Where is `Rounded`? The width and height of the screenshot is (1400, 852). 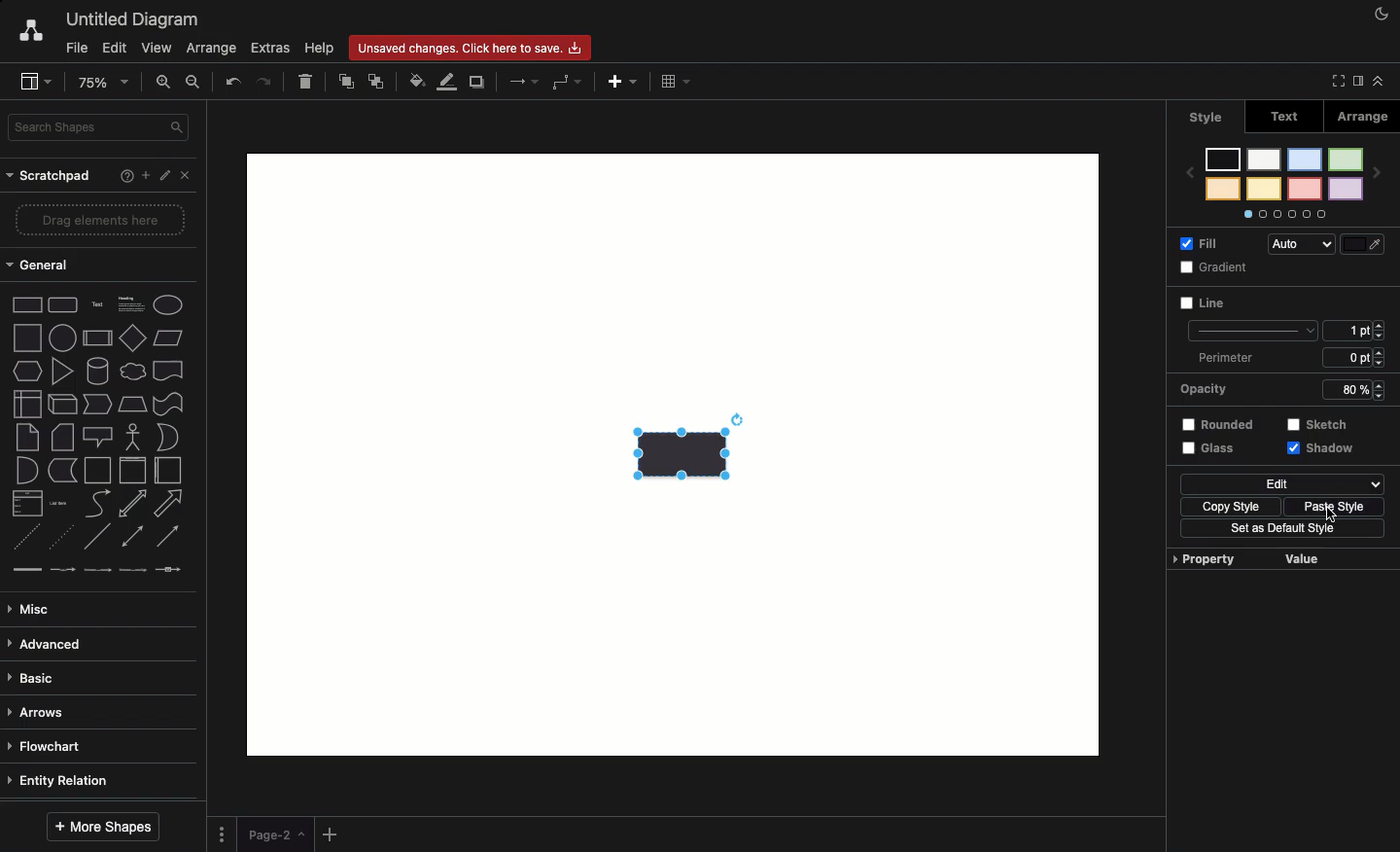
Rounded is located at coordinates (1220, 424).